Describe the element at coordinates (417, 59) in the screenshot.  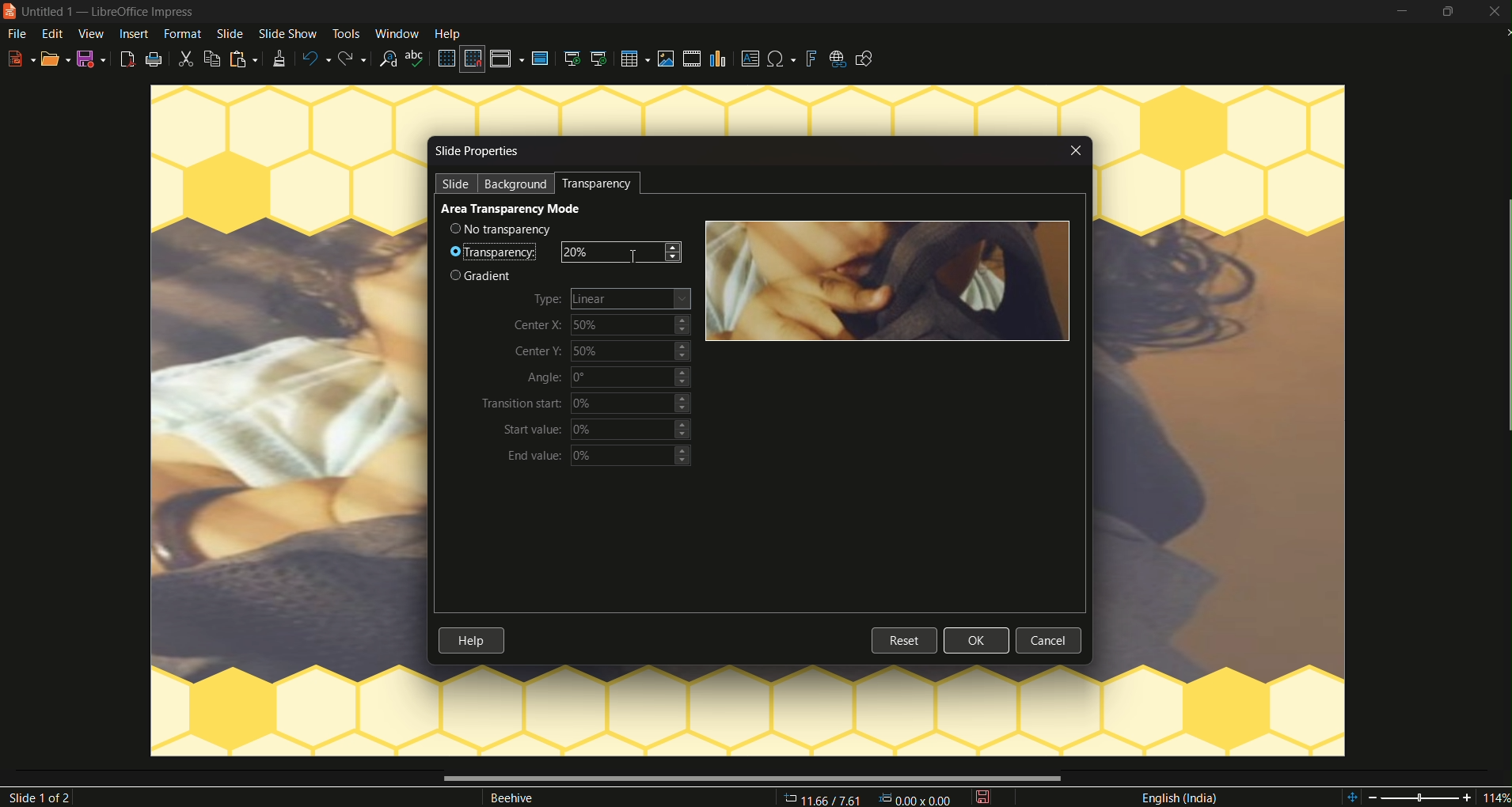
I see `spelling` at that location.